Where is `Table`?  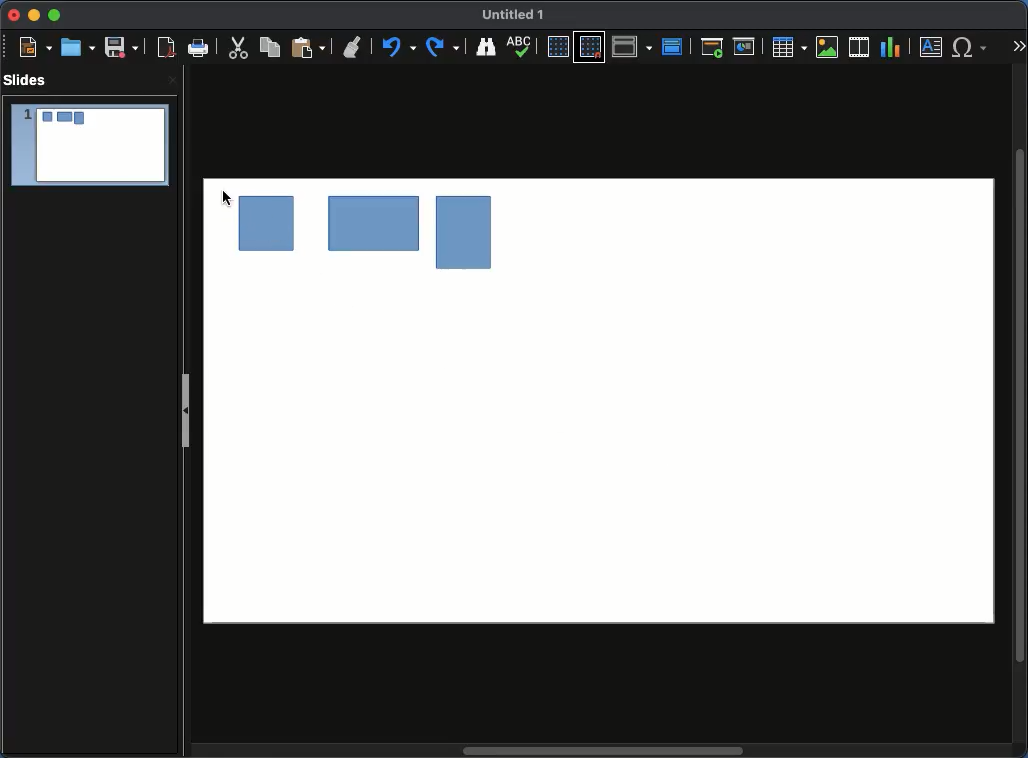 Table is located at coordinates (790, 47).